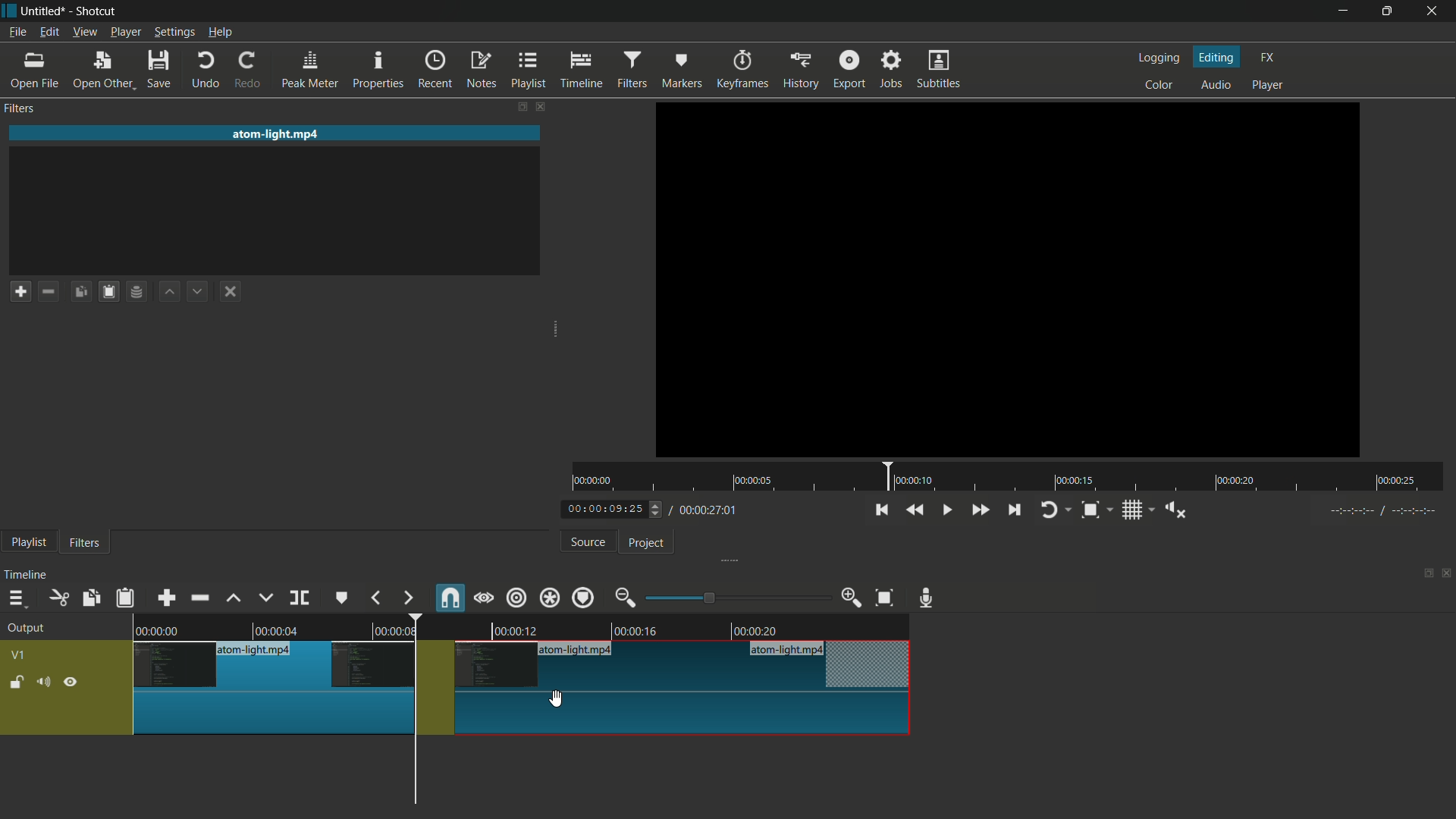 The height and width of the screenshot is (819, 1456). I want to click on copy checked filters, so click(84, 290).